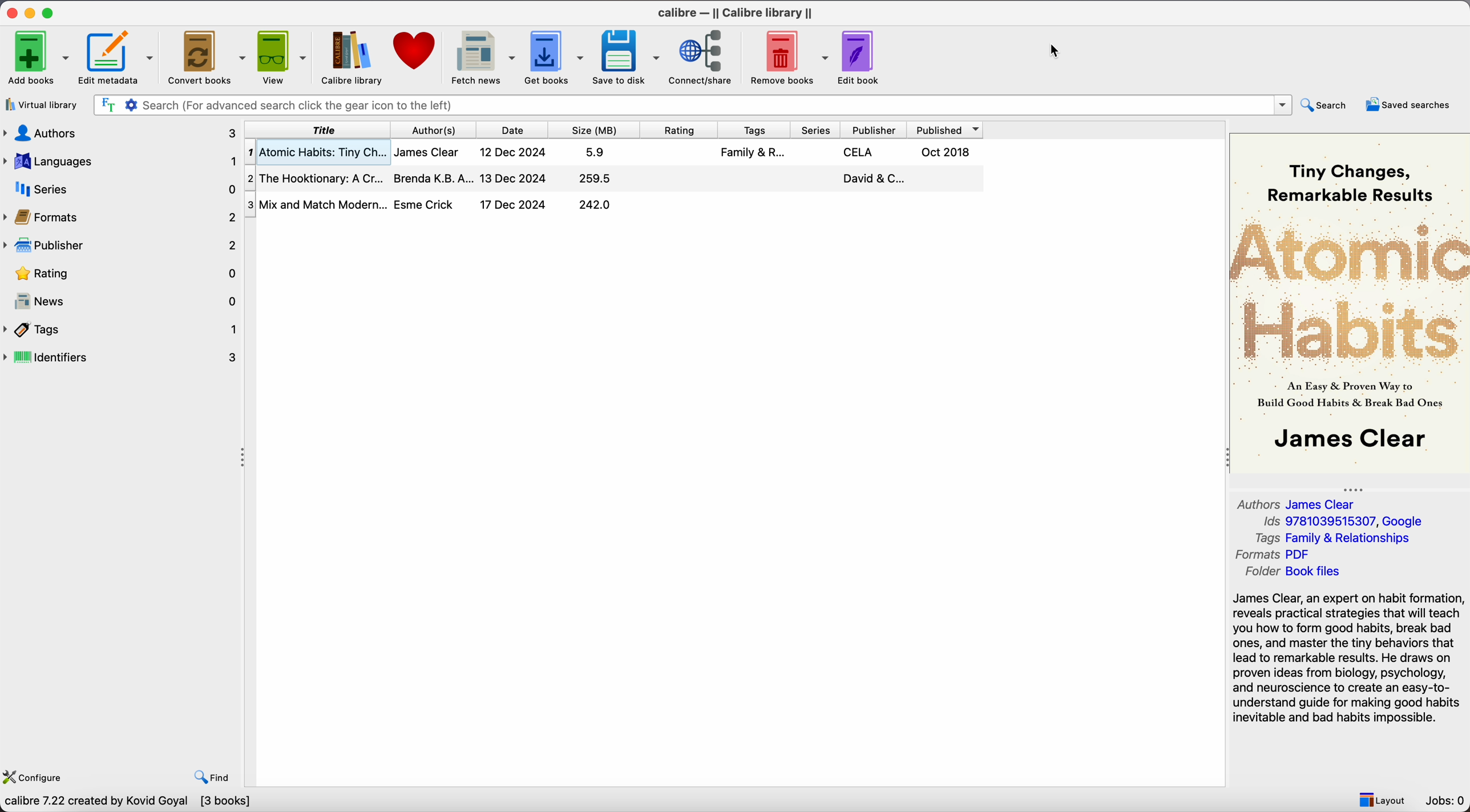 Image resolution: width=1470 pixels, height=812 pixels. Describe the element at coordinates (431, 177) in the screenshot. I see `Brenda K.B.A...` at that location.